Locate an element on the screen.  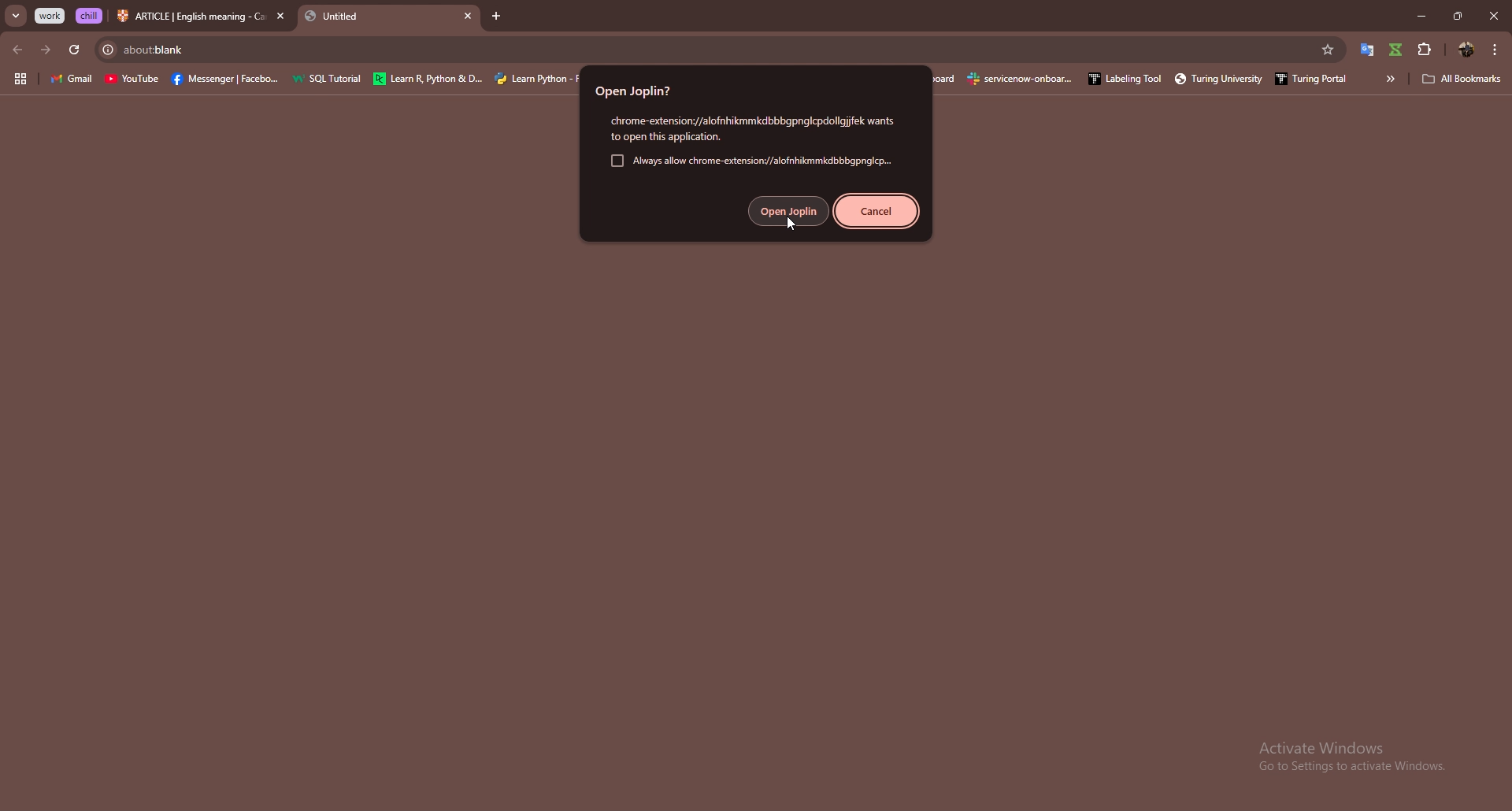
close is located at coordinates (1493, 15).